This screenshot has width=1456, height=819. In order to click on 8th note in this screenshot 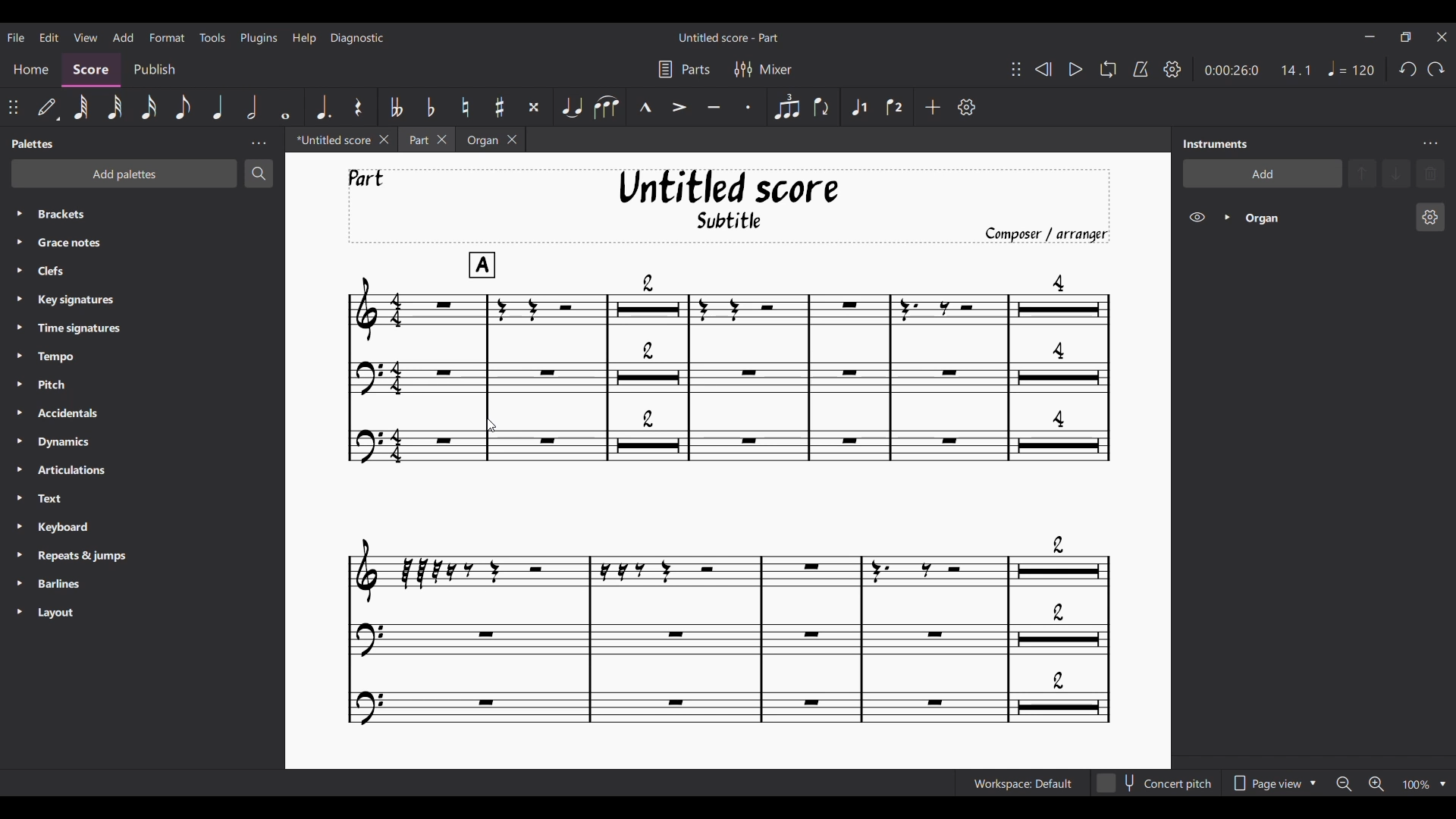, I will do `click(181, 107)`.